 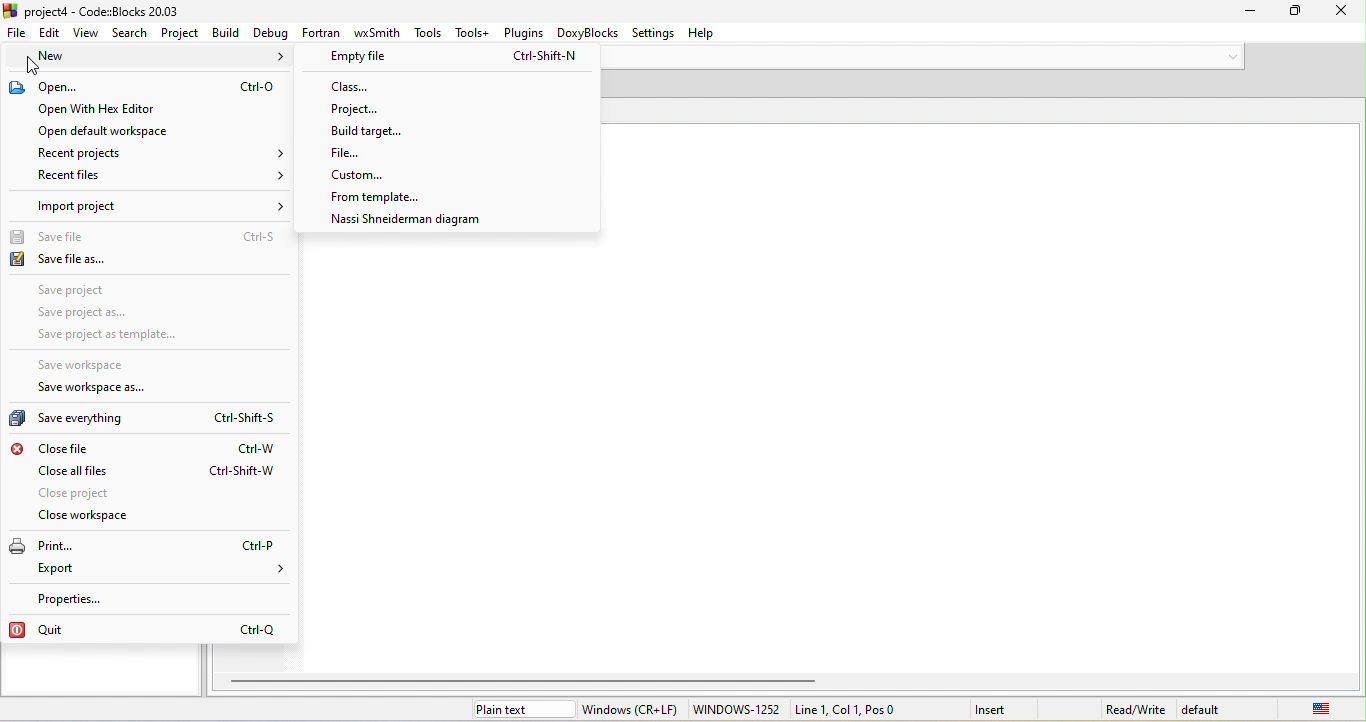 I want to click on help, so click(x=714, y=35).